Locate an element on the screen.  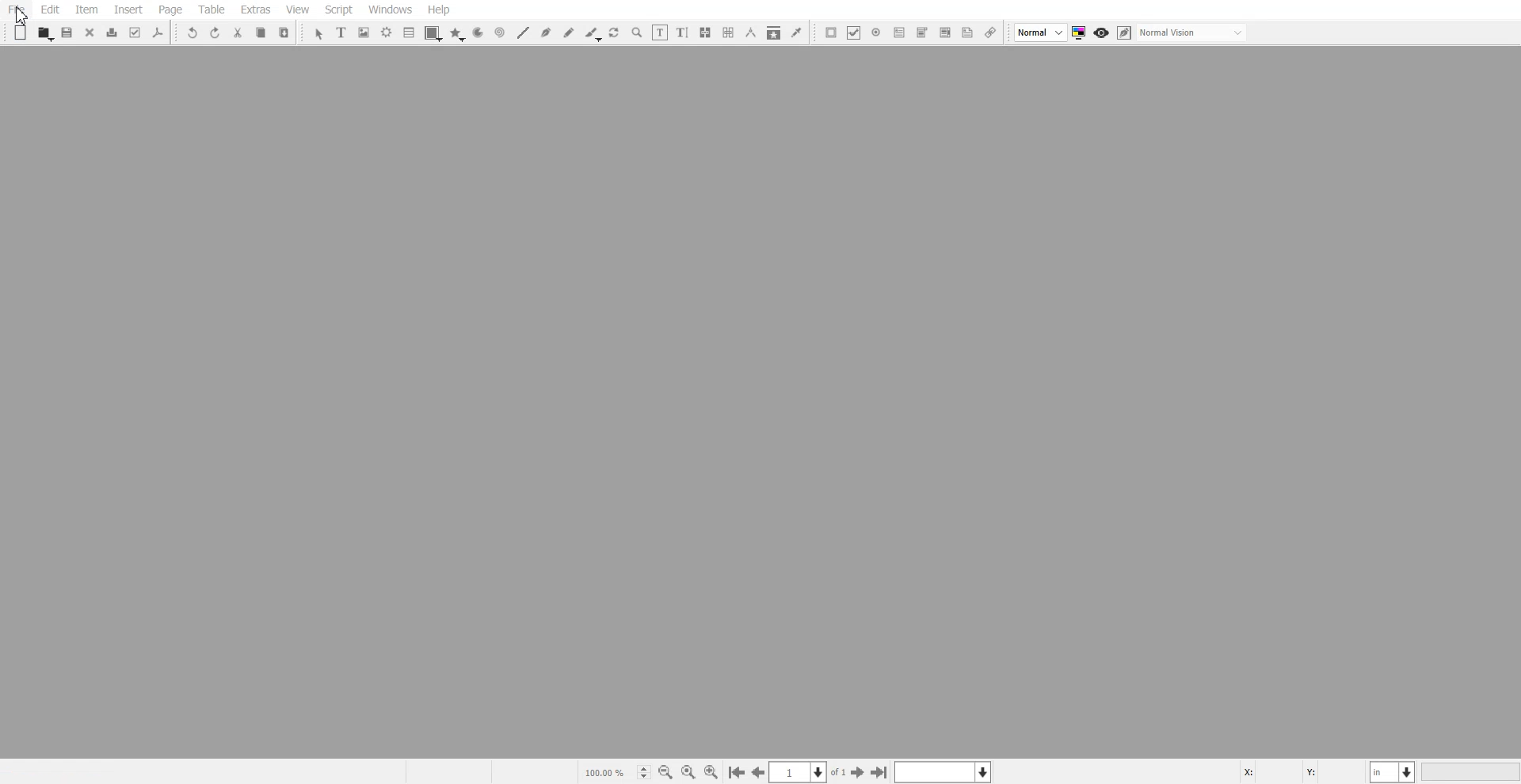
Item is located at coordinates (86, 10).